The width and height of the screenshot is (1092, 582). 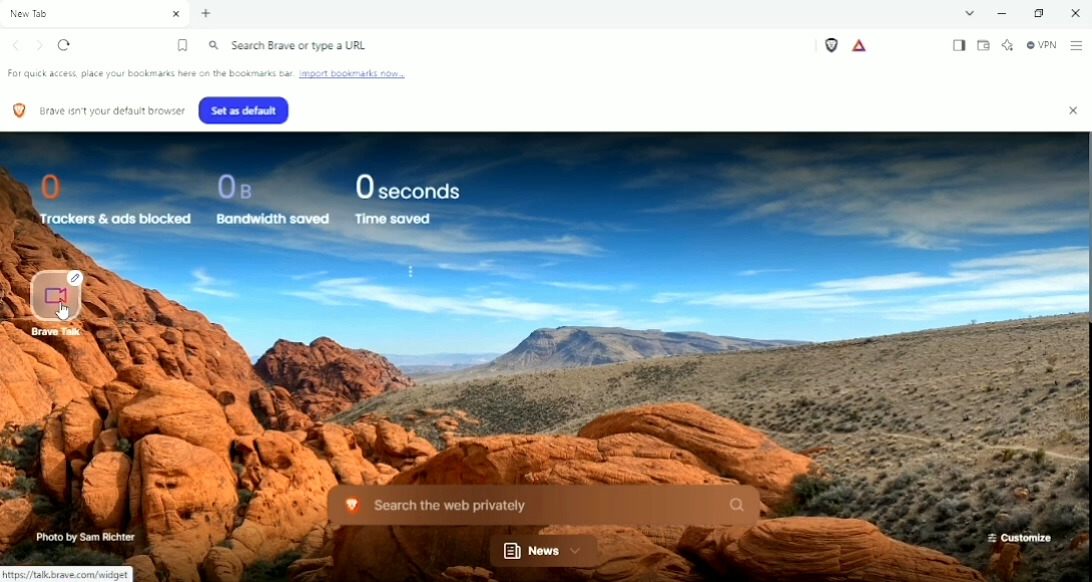 What do you see at coordinates (113, 197) in the screenshot?
I see `0 Trackers & ads blocked` at bounding box center [113, 197].